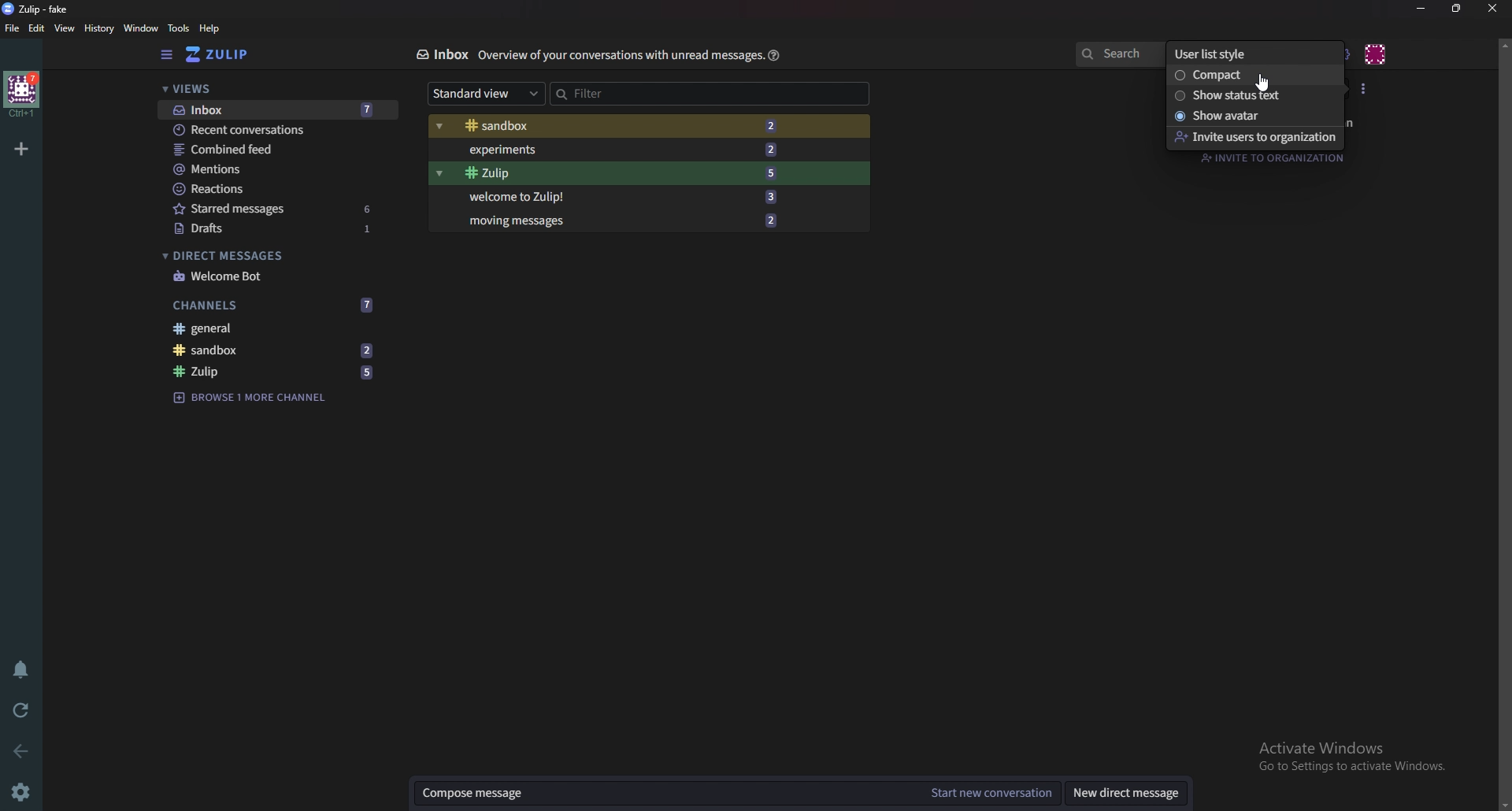 The width and height of the screenshot is (1512, 811). I want to click on close, so click(1490, 8).